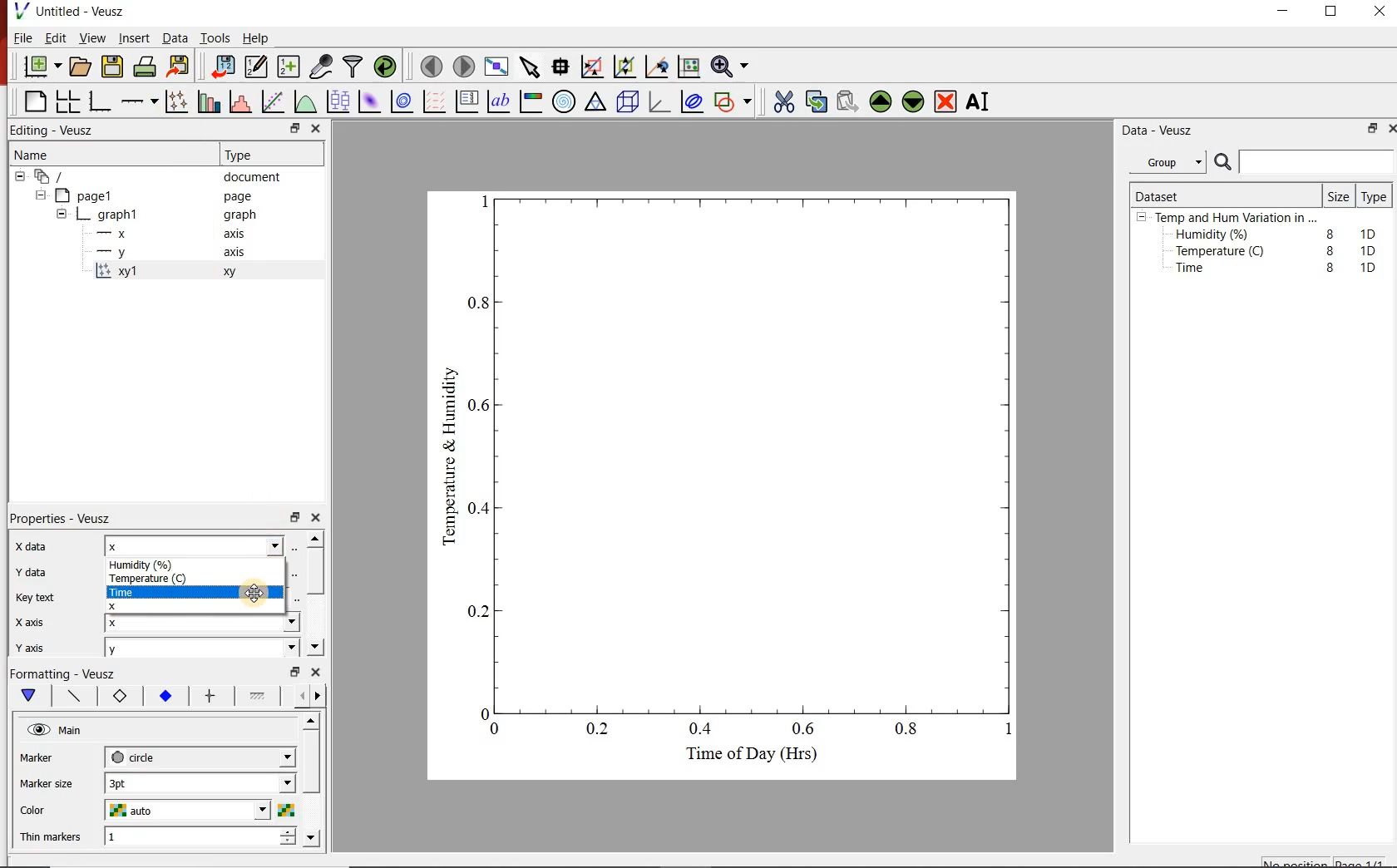 This screenshot has width=1397, height=868. I want to click on x, so click(120, 234).